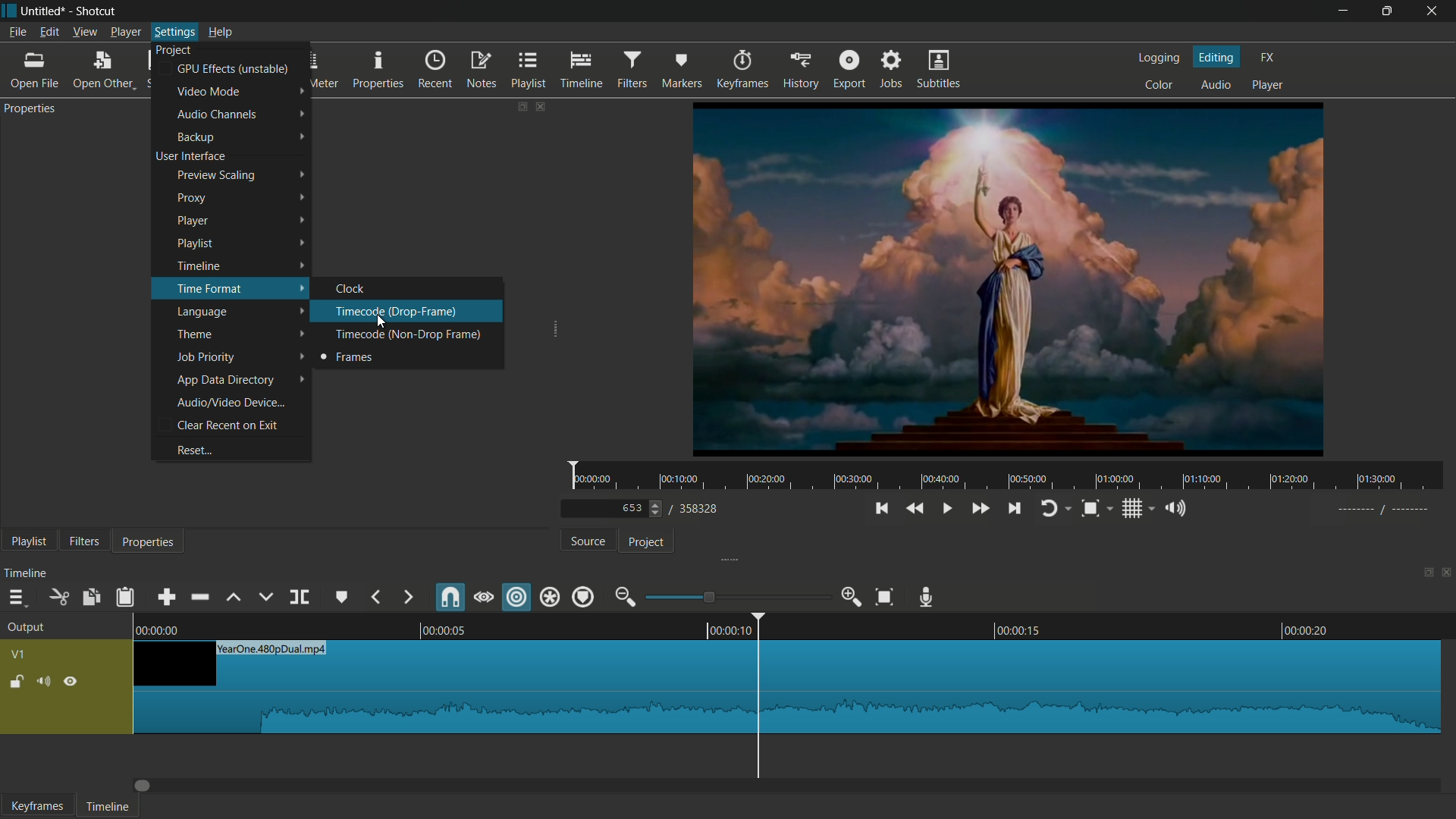  Describe the element at coordinates (42, 681) in the screenshot. I see `mute` at that location.